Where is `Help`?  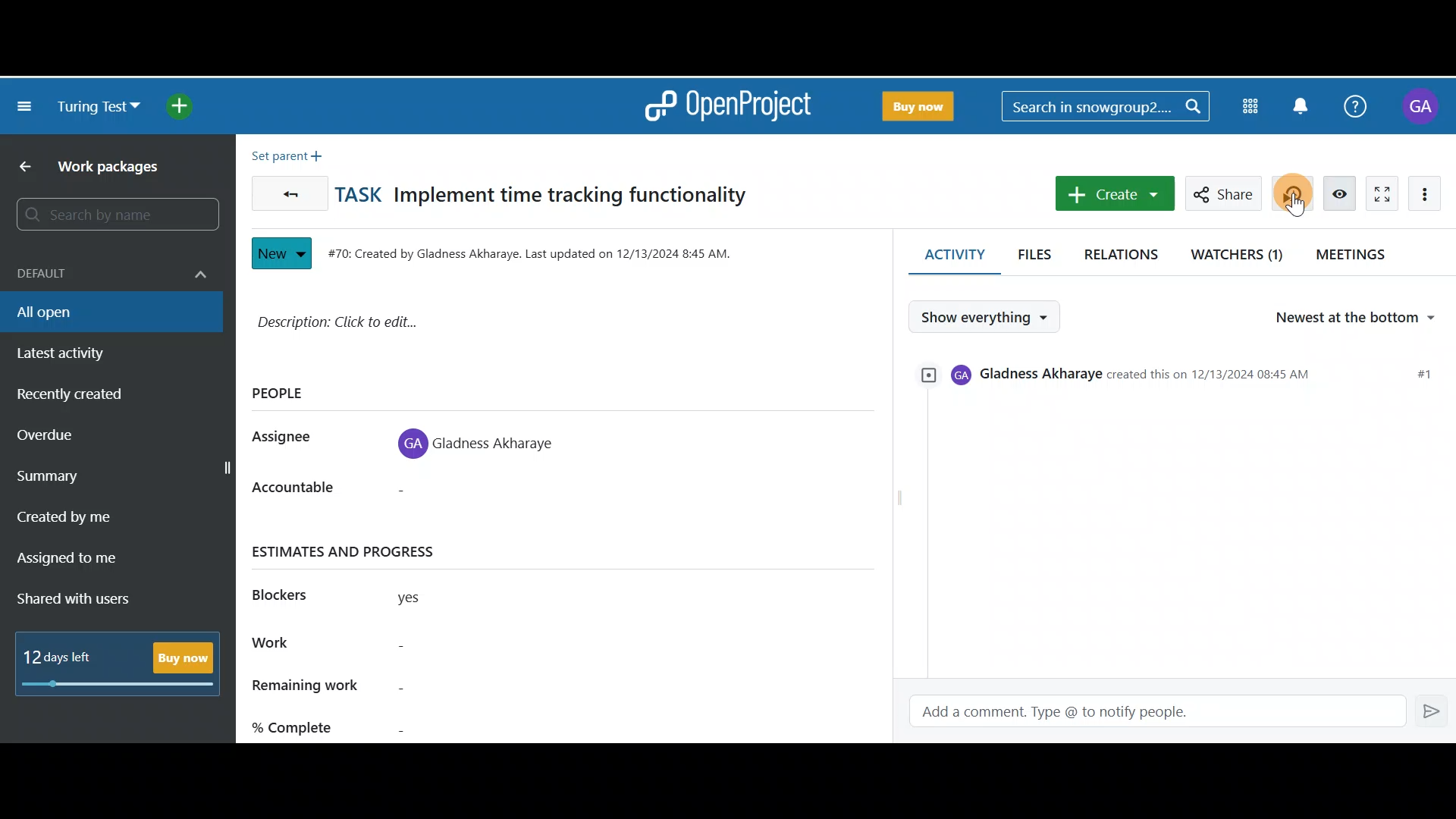 Help is located at coordinates (1352, 104).